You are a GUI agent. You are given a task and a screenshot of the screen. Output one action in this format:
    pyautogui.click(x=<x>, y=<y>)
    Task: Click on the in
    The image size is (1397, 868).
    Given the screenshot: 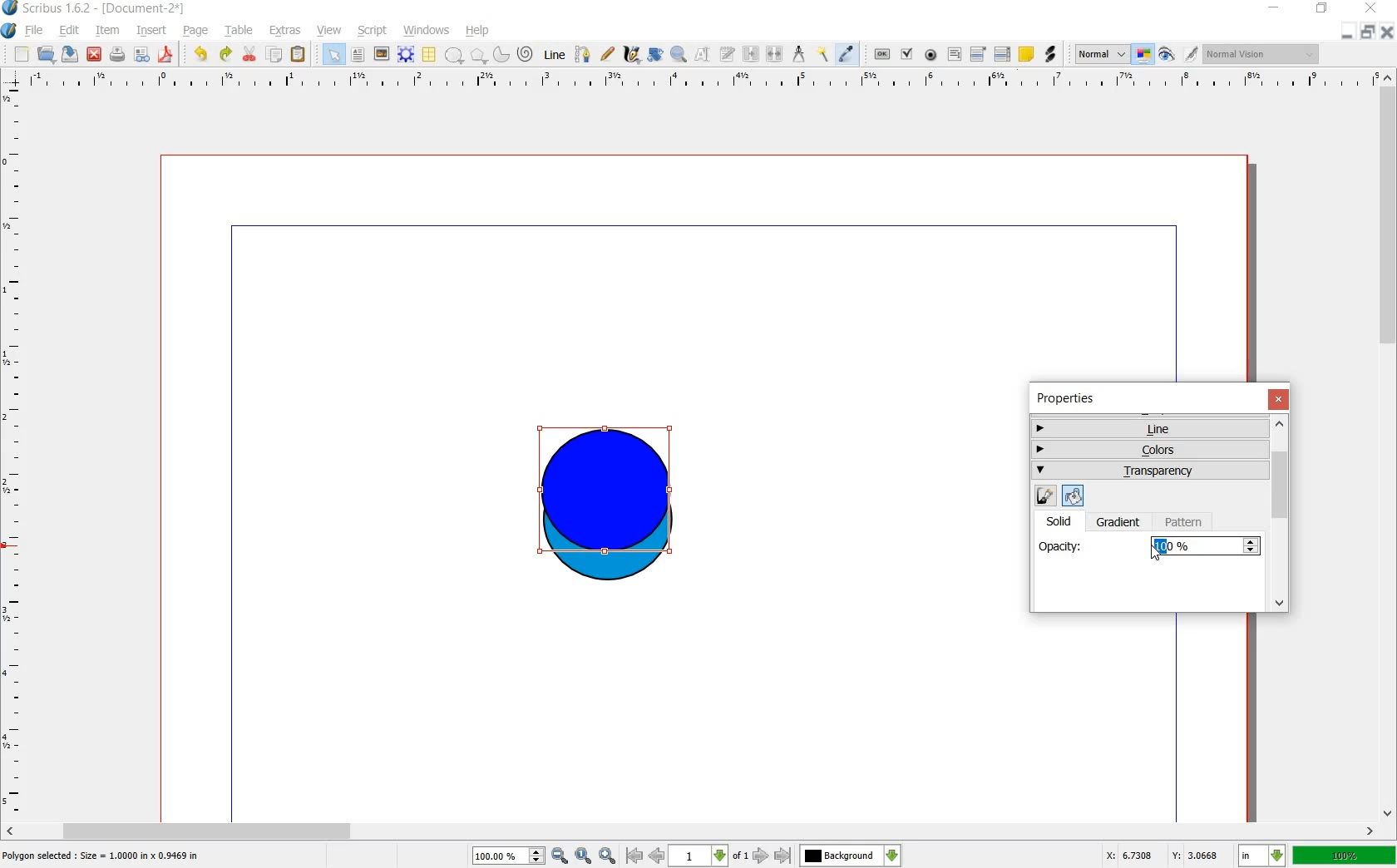 What is the action you would take?
    pyautogui.click(x=1261, y=856)
    